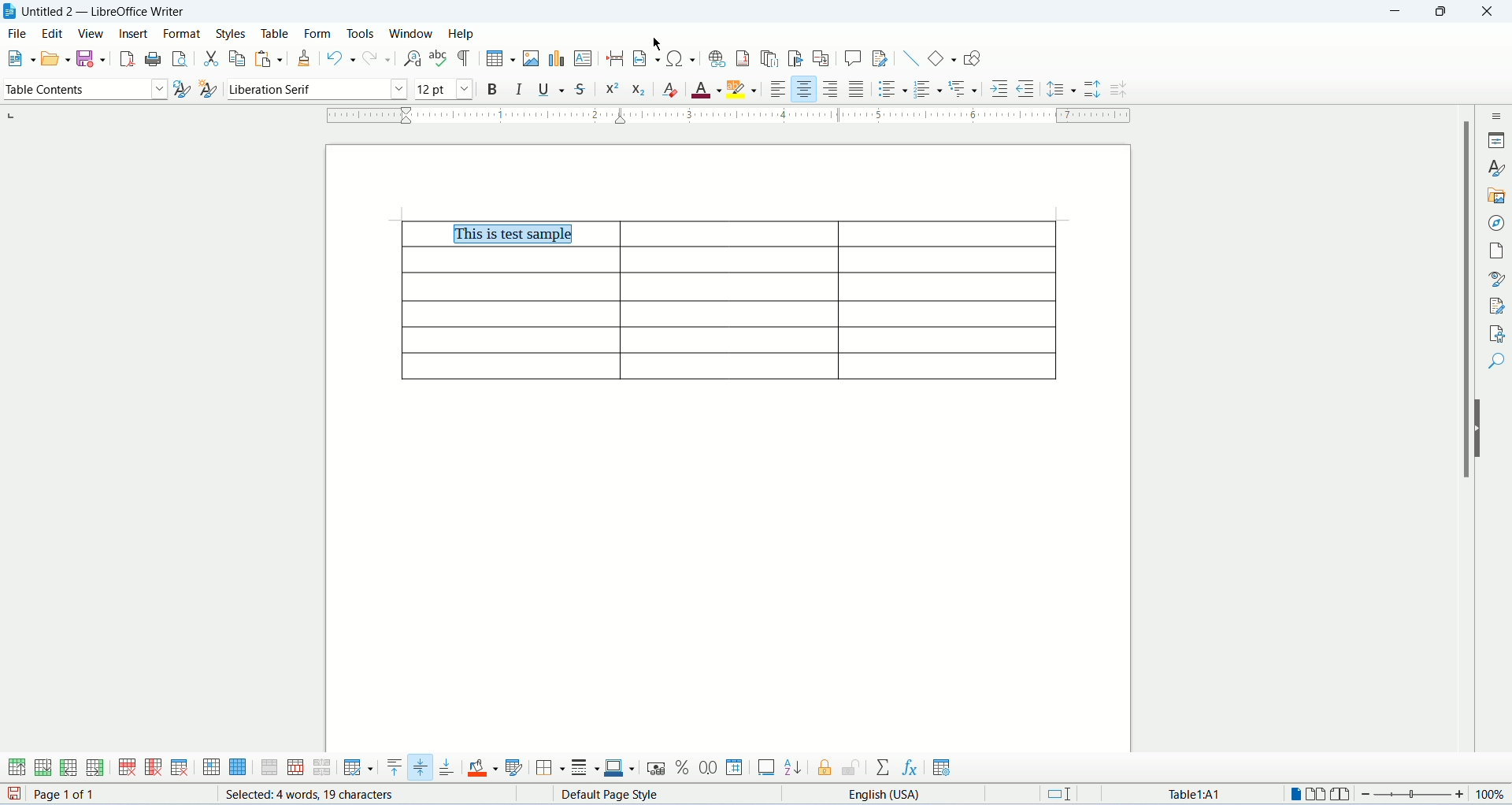 This screenshot has width=1512, height=805. I want to click on copy, so click(237, 58).